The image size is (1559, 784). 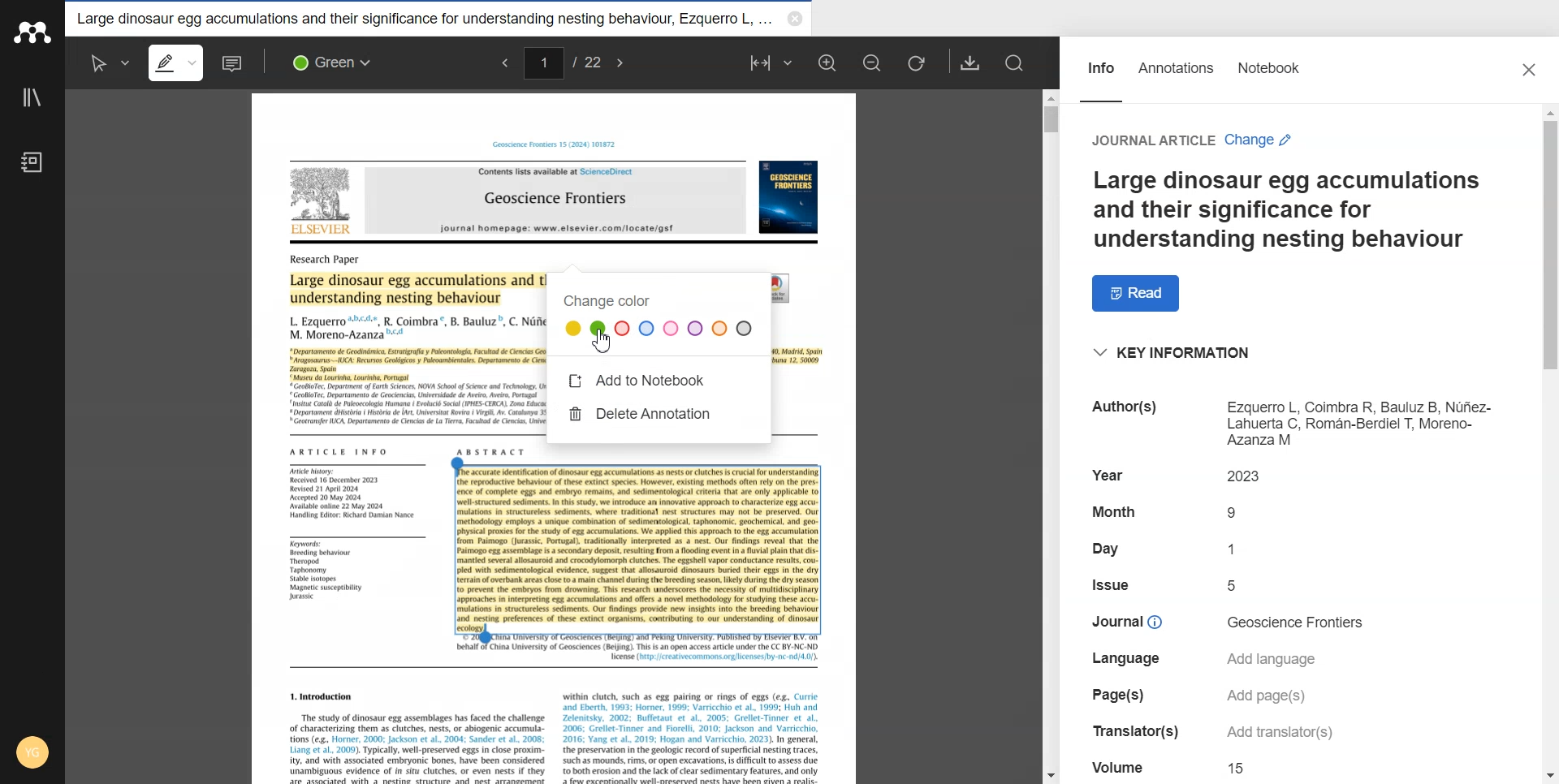 I want to click on Download, so click(x=970, y=62).